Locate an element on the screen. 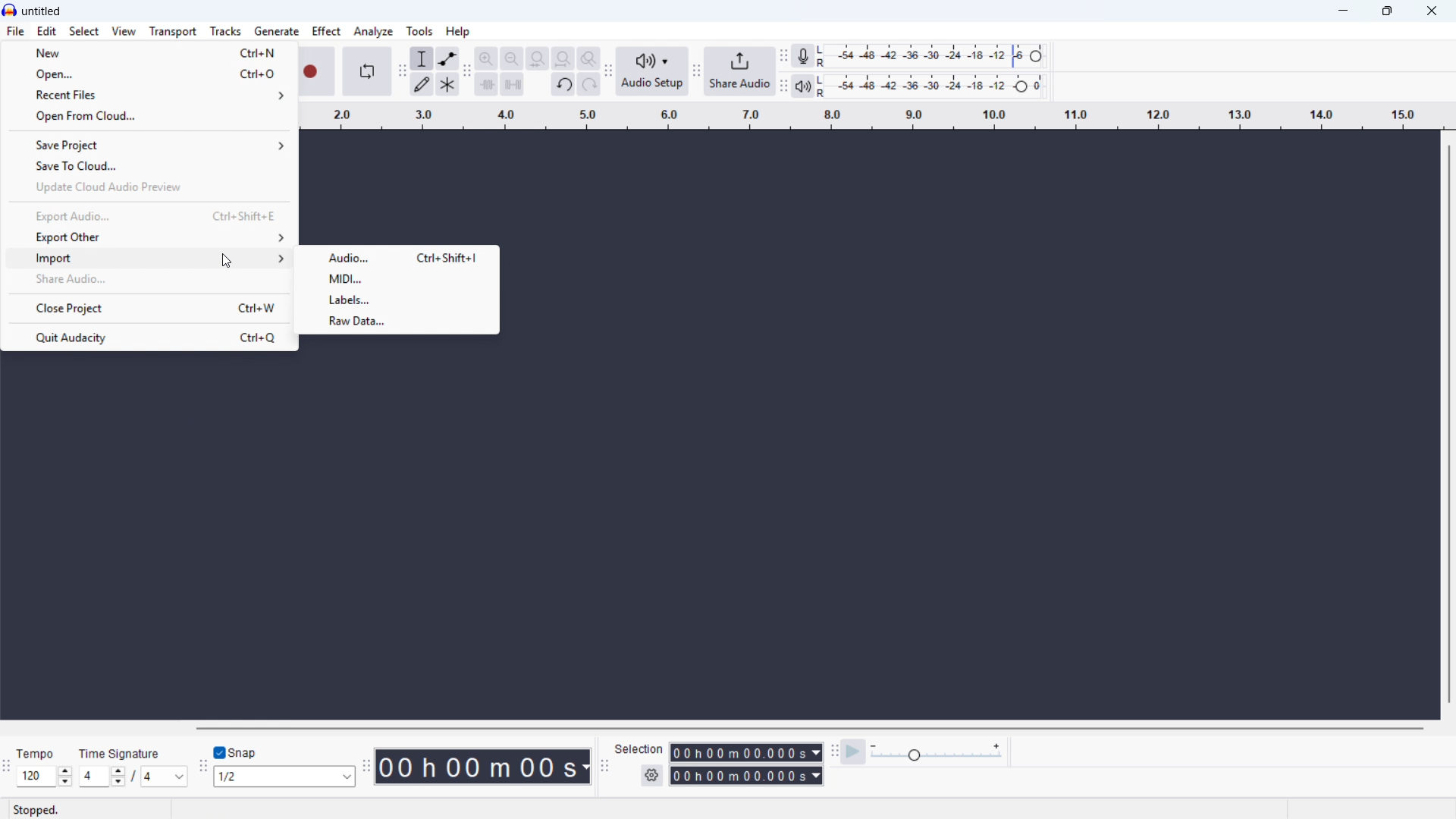  Time toolbar  is located at coordinates (366, 768).